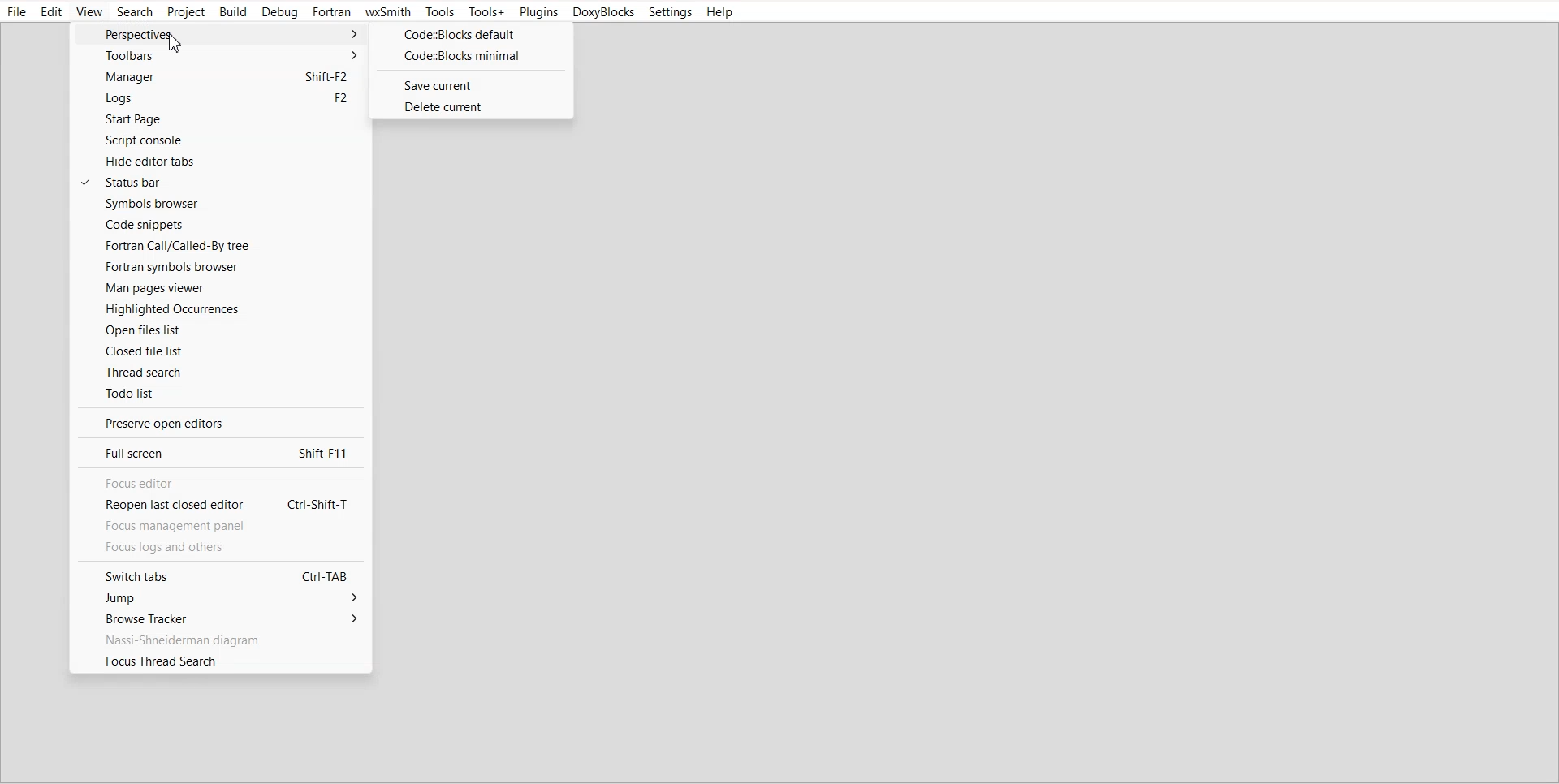 This screenshot has width=1559, height=784. Describe the element at coordinates (135, 12) in the screenshot. I see `Search` at that location.